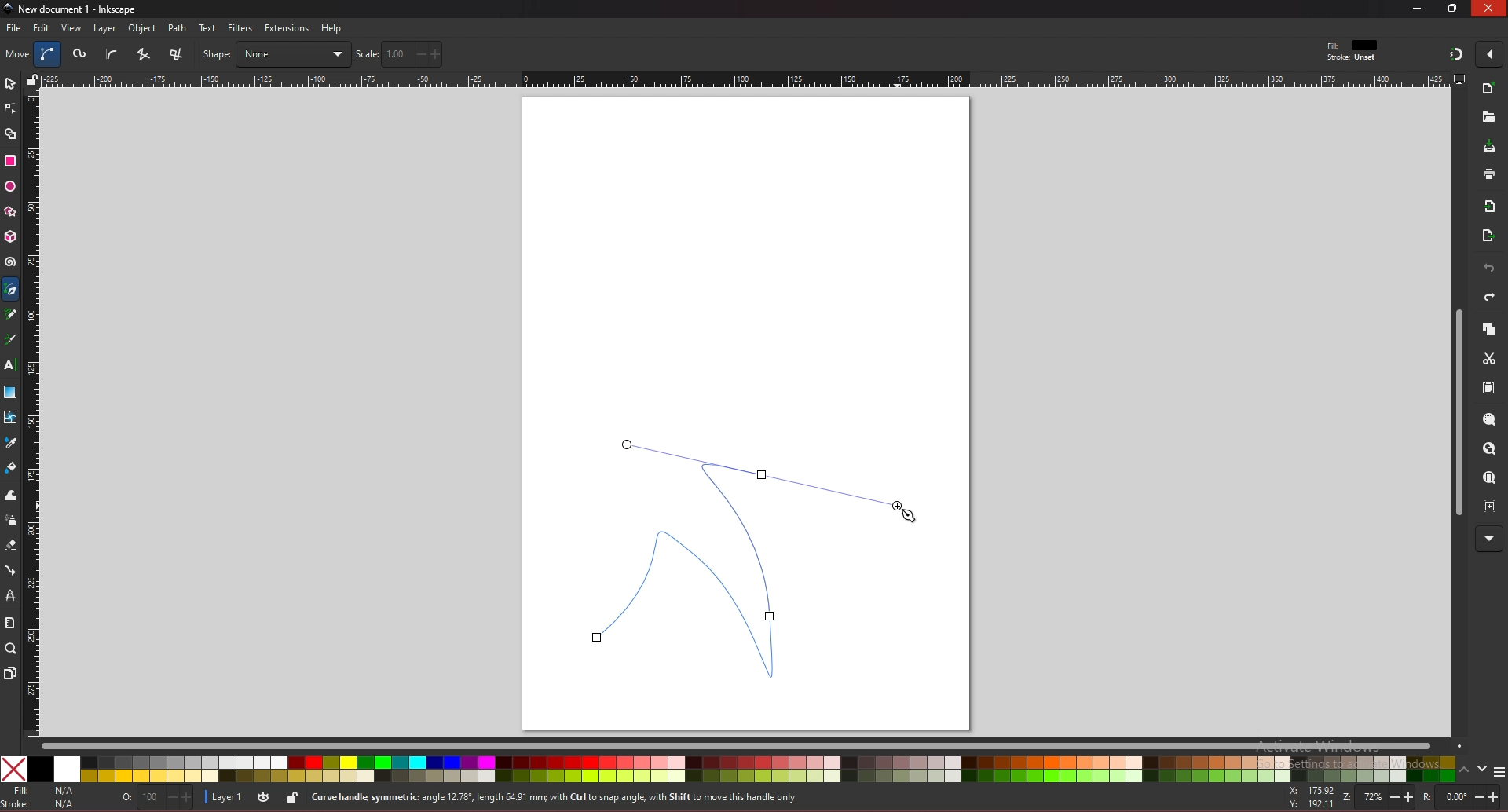 The width and height of the screenshot is (1508, 812). What do you see at coordinates (11, 571) in the screenshot?
I see `connector` at bounding box center [11, 571].